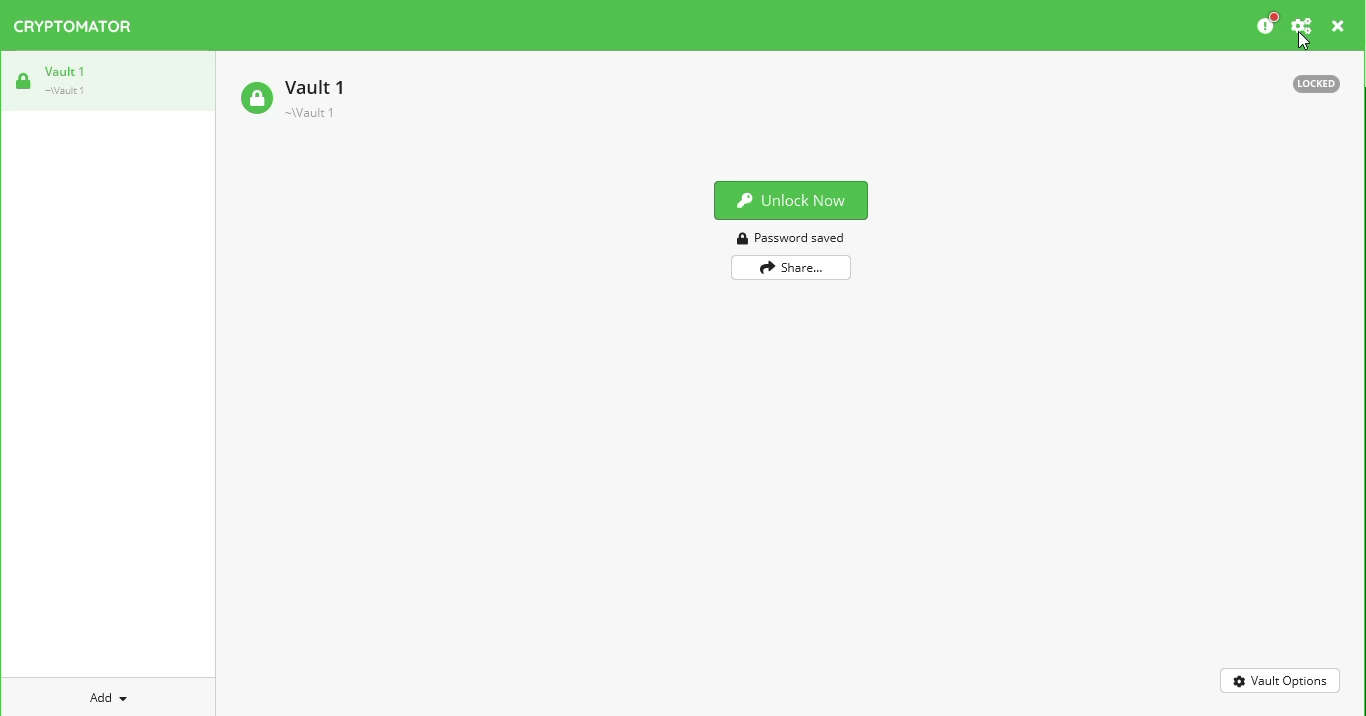 The height and width of the screenshot is (716, 1366). I want to click on please consider donating, so click(1266, 24).